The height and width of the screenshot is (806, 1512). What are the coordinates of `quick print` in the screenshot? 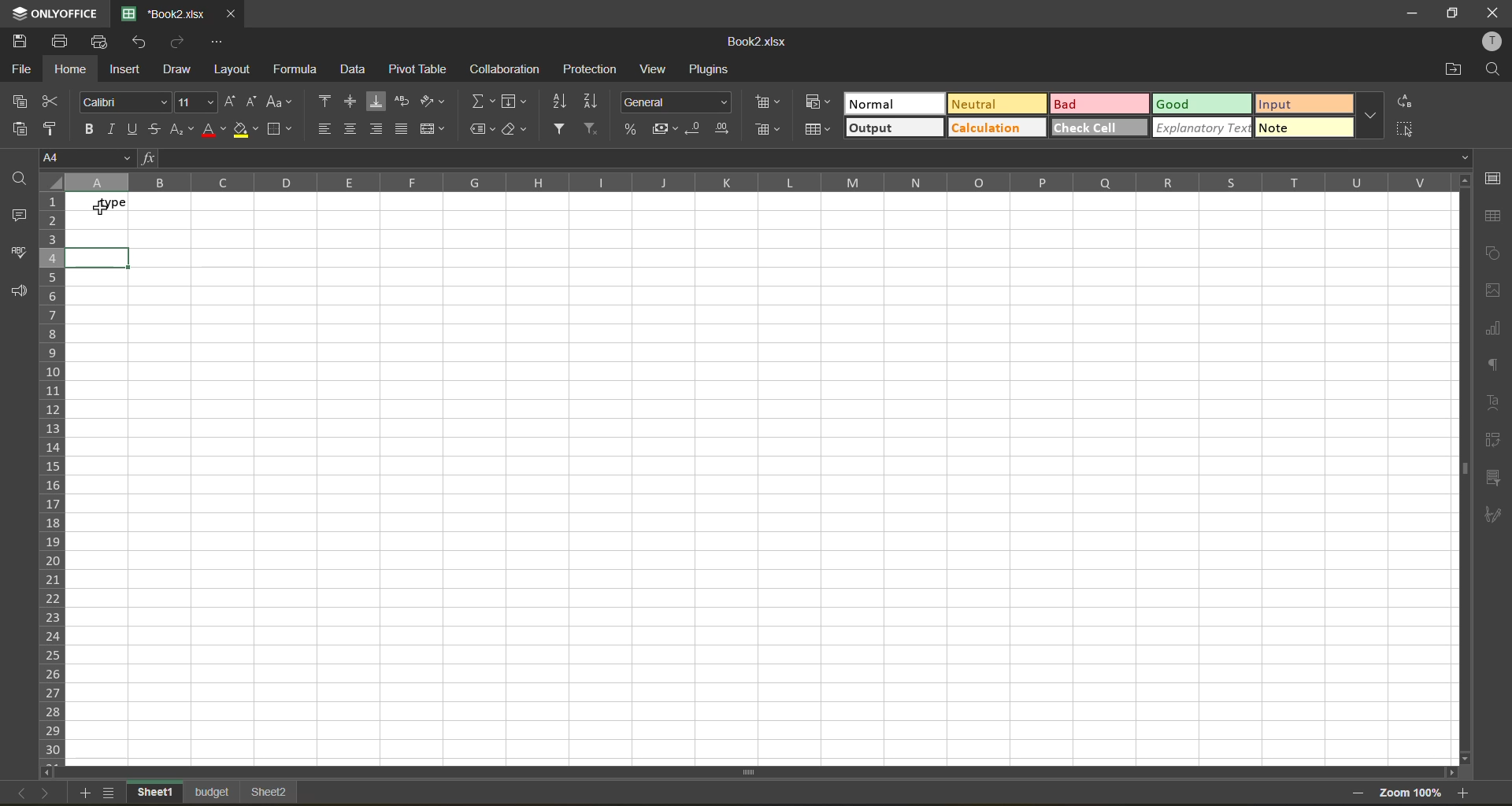 It's located at (99, 42).